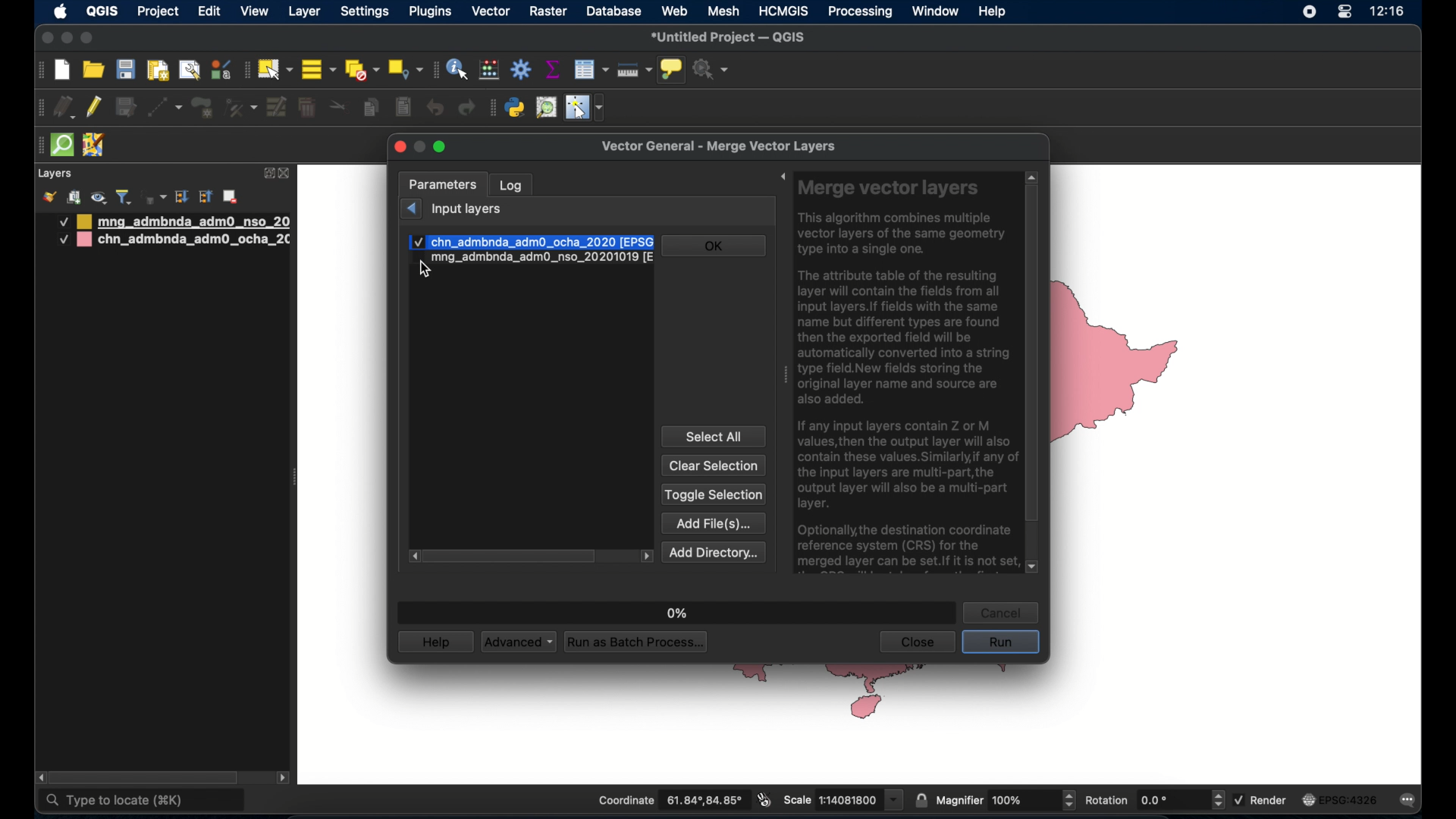  I want to click on screen recorder icon, so click(1307, 12).